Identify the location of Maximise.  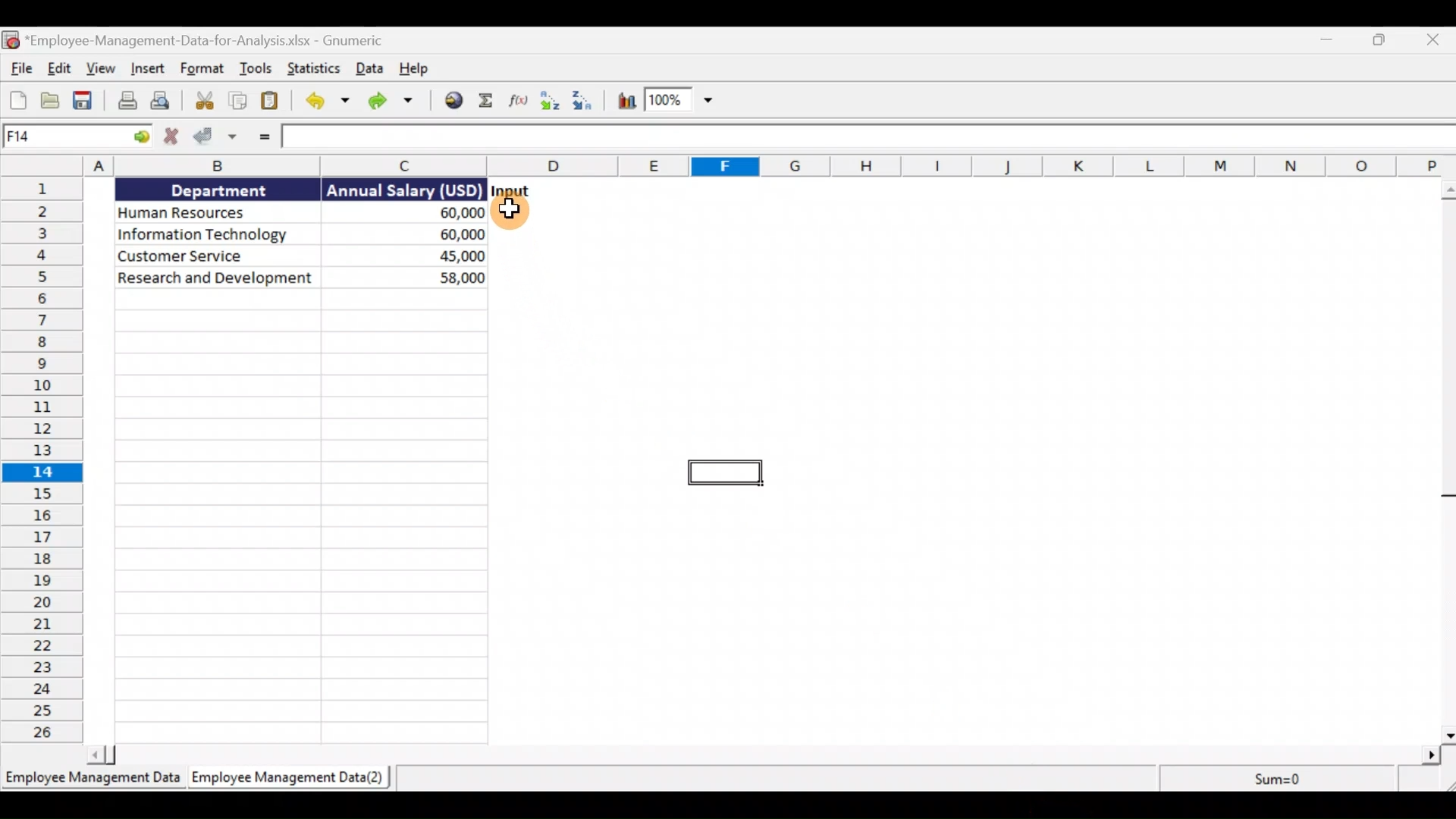
(1379, 39).